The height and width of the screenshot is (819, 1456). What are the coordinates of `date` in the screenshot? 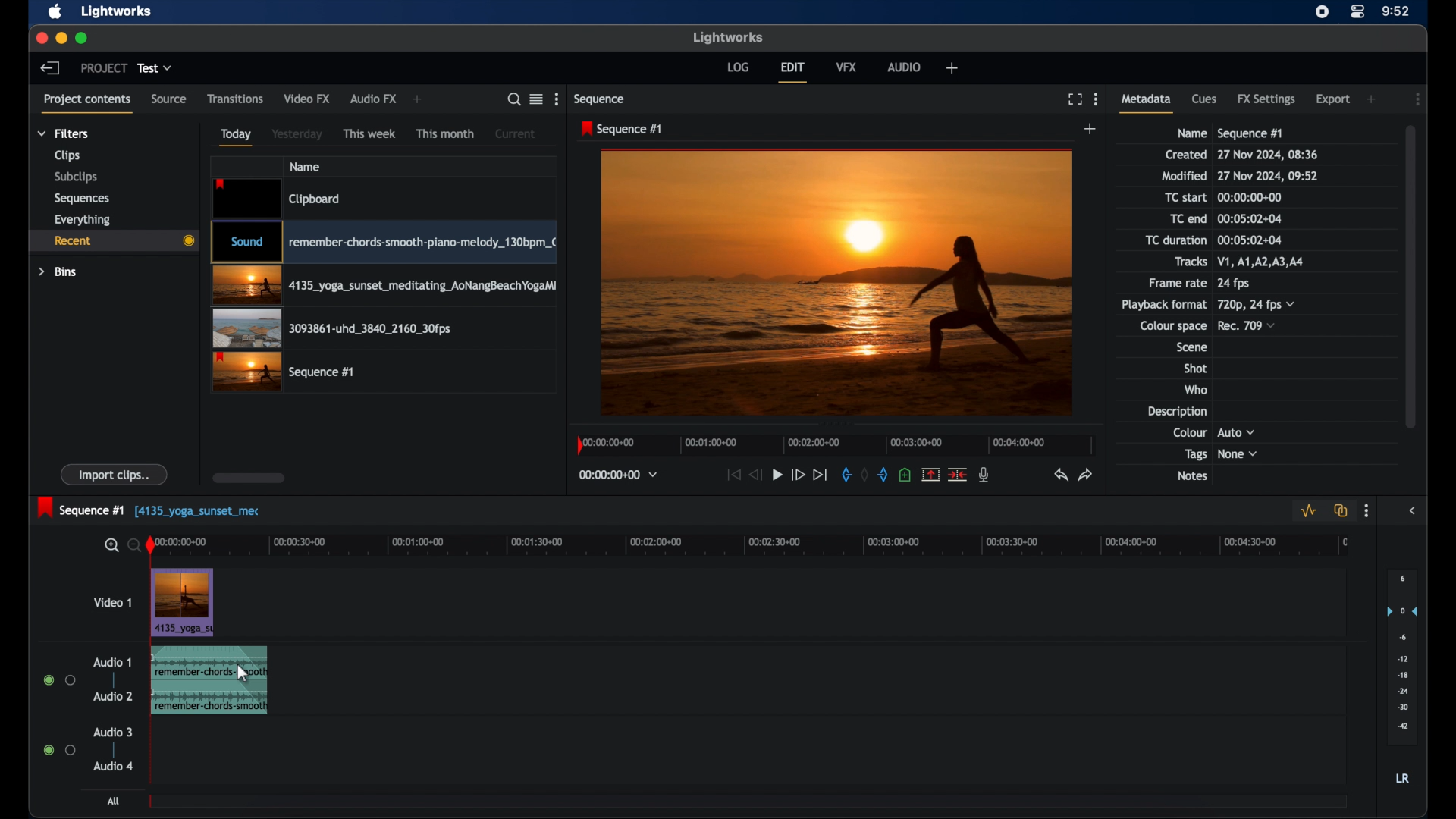 It's located at (1269, 155).